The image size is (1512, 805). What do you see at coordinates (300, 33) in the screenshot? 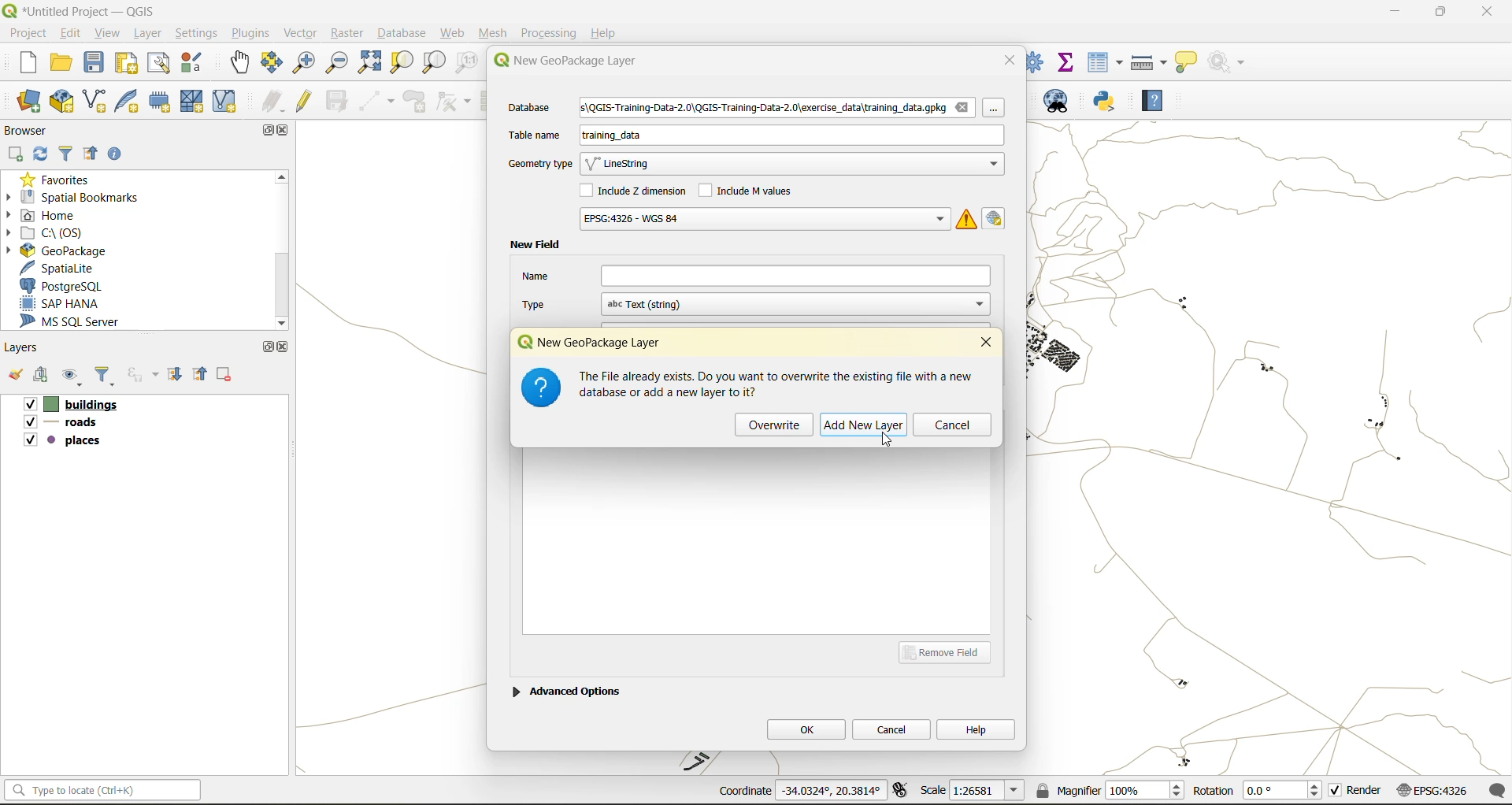
I see `vector` at bounding box center [300, 33].